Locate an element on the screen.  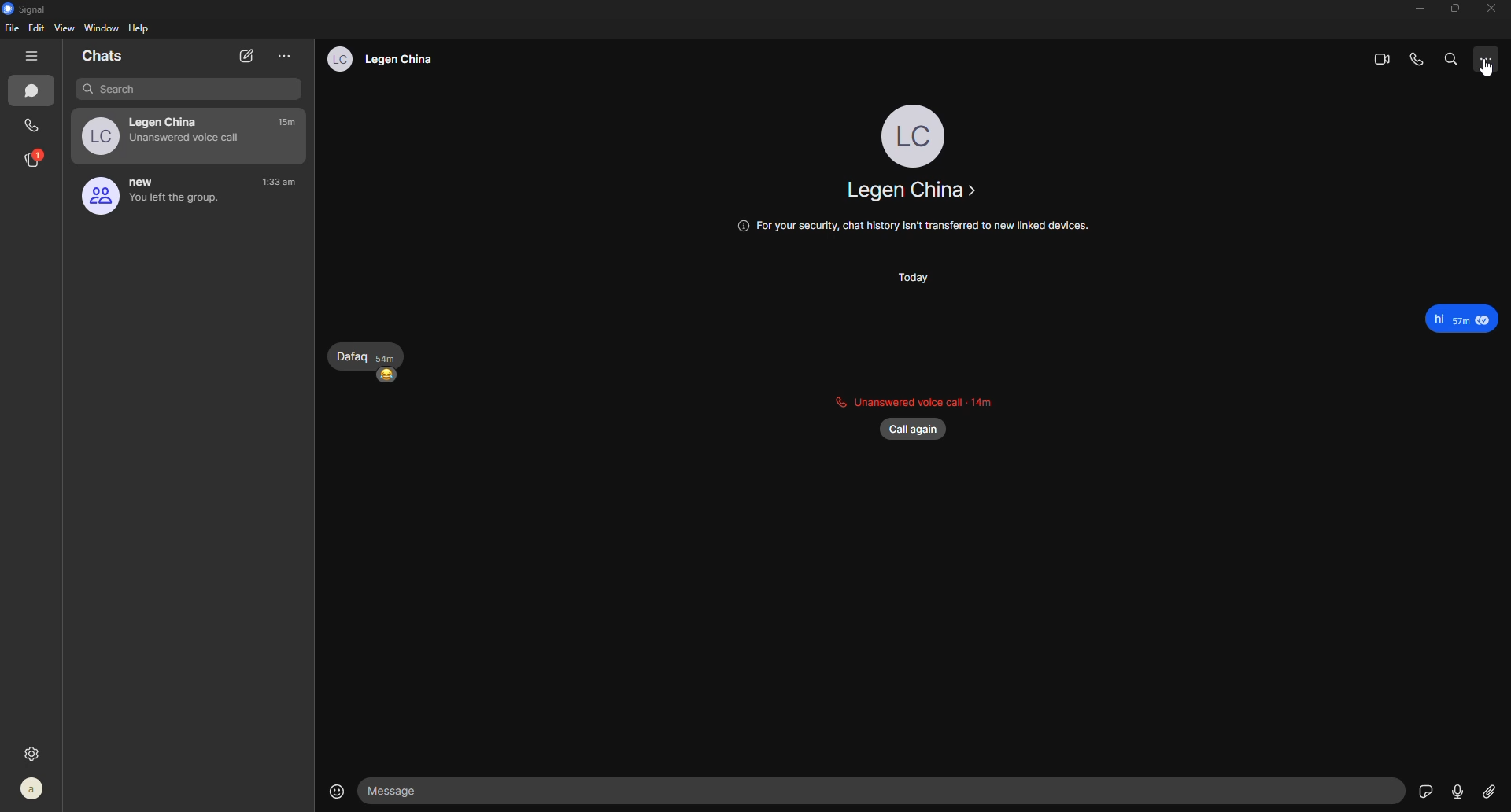
video call is located at coordinates (1375, 58).